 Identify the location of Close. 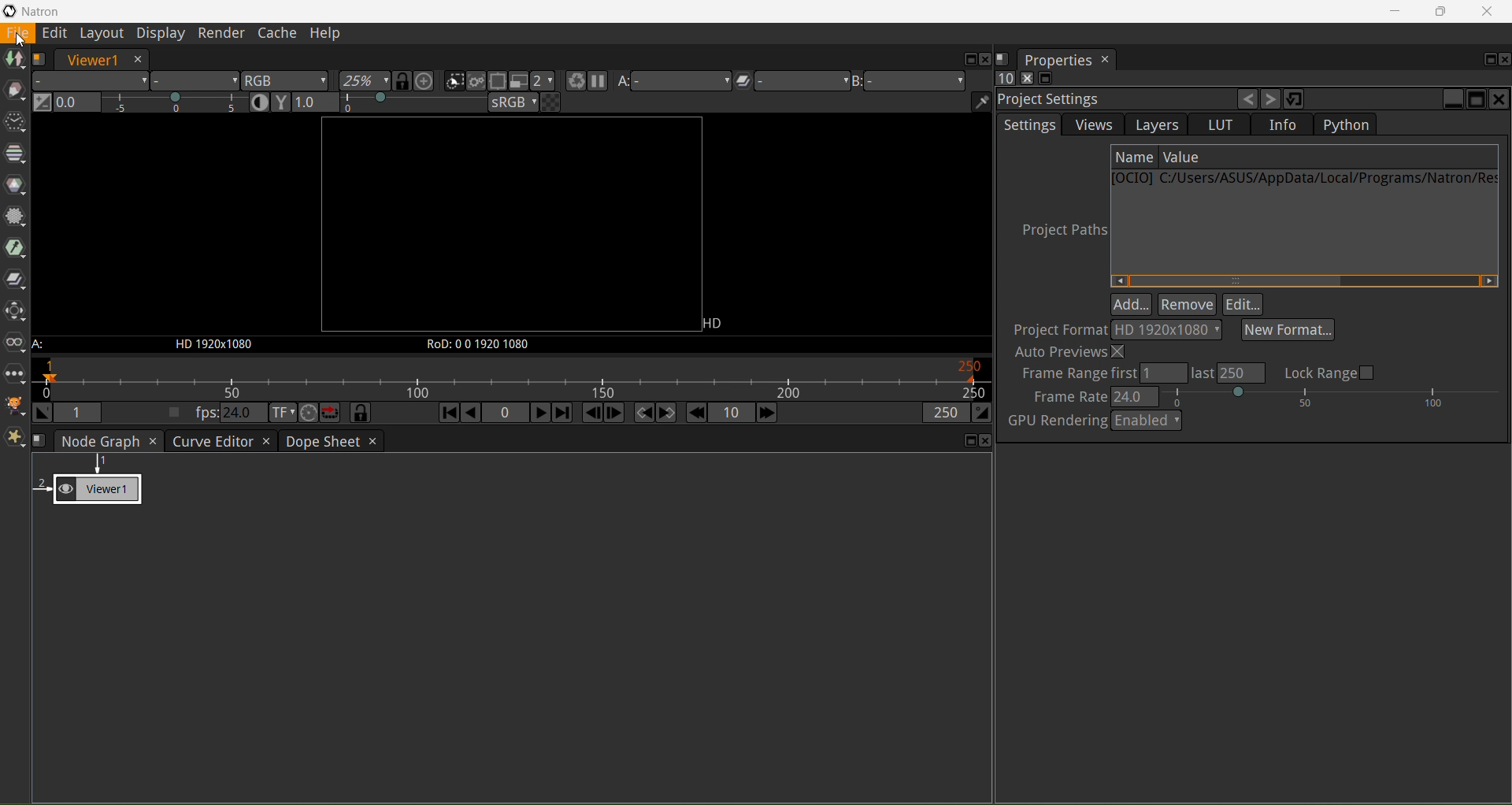
(1498, 98).